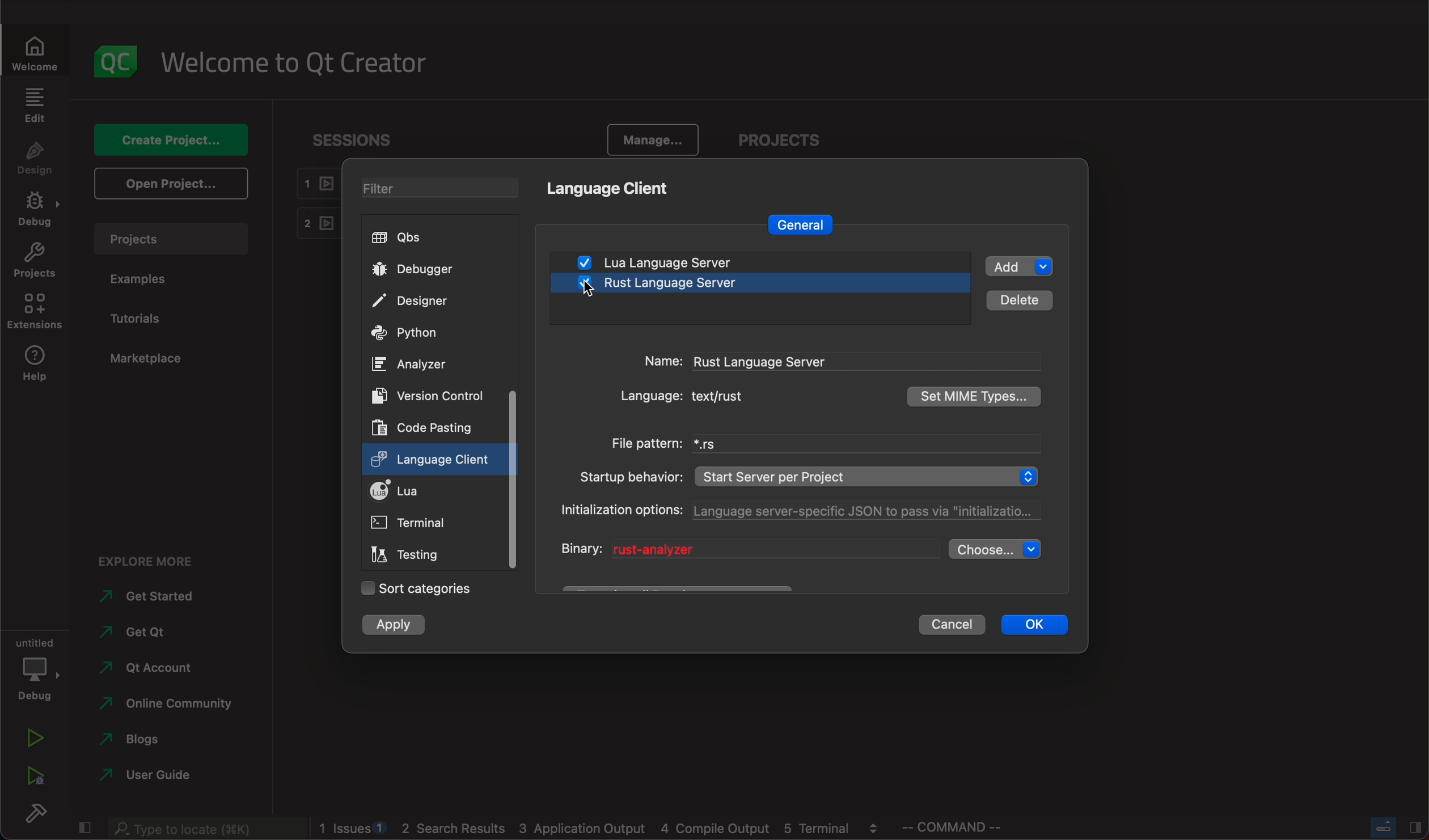  I want to click on create, so click(167, 142).